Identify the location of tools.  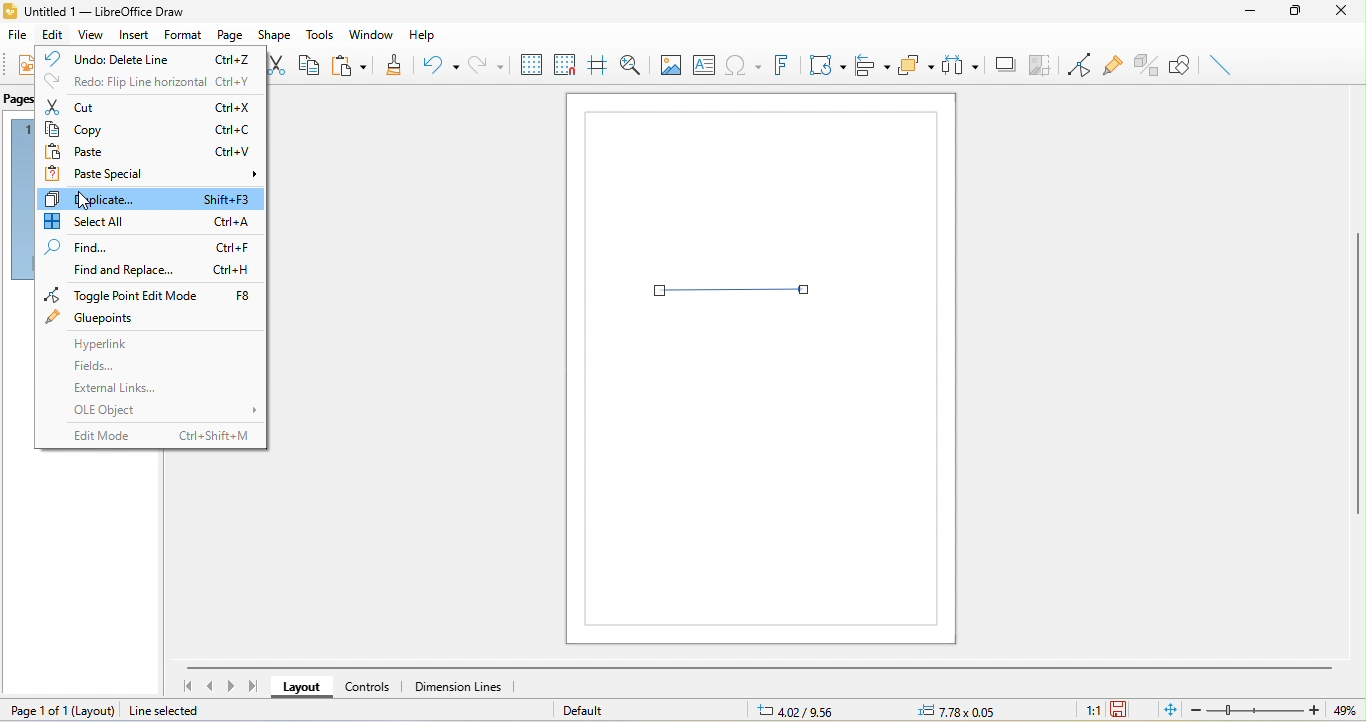
(322, 35).